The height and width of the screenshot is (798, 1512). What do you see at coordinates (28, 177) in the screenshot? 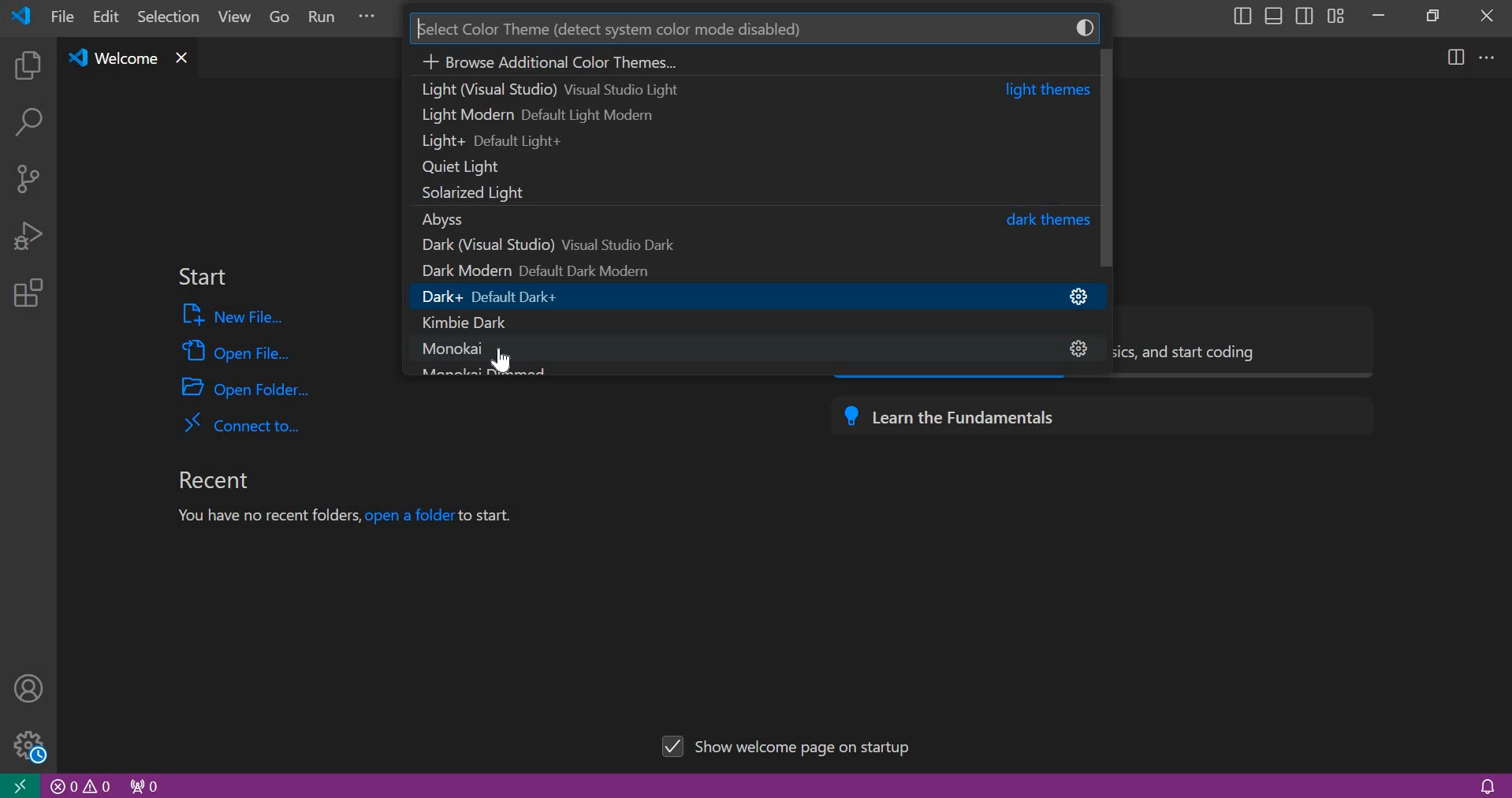
I see `source control` at bounding box center [28, 177].